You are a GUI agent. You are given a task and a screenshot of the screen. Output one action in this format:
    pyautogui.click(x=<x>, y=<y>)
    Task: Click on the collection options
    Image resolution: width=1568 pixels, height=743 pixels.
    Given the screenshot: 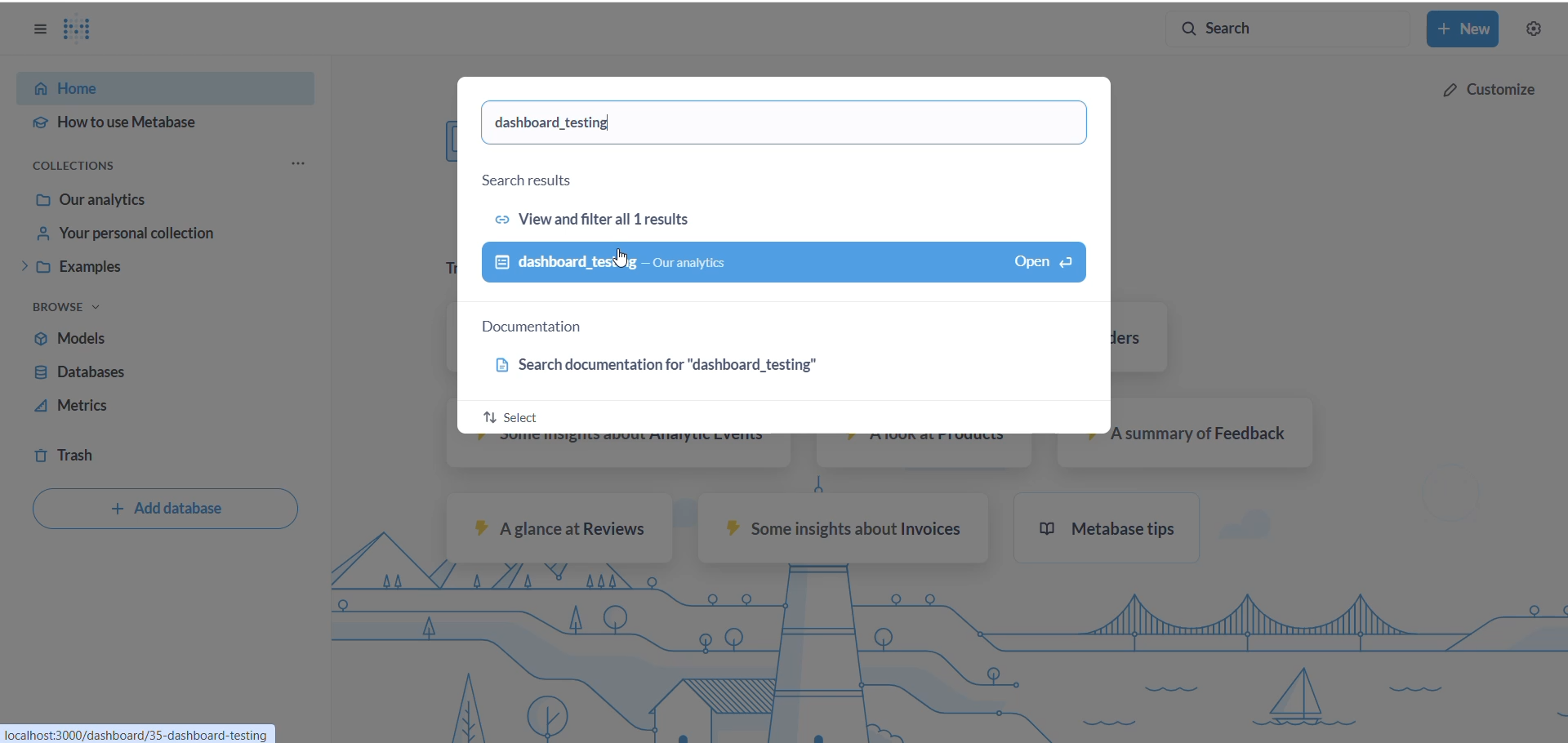 What is the action you would take?
    pyautogui.click(x=301, y=163)
    